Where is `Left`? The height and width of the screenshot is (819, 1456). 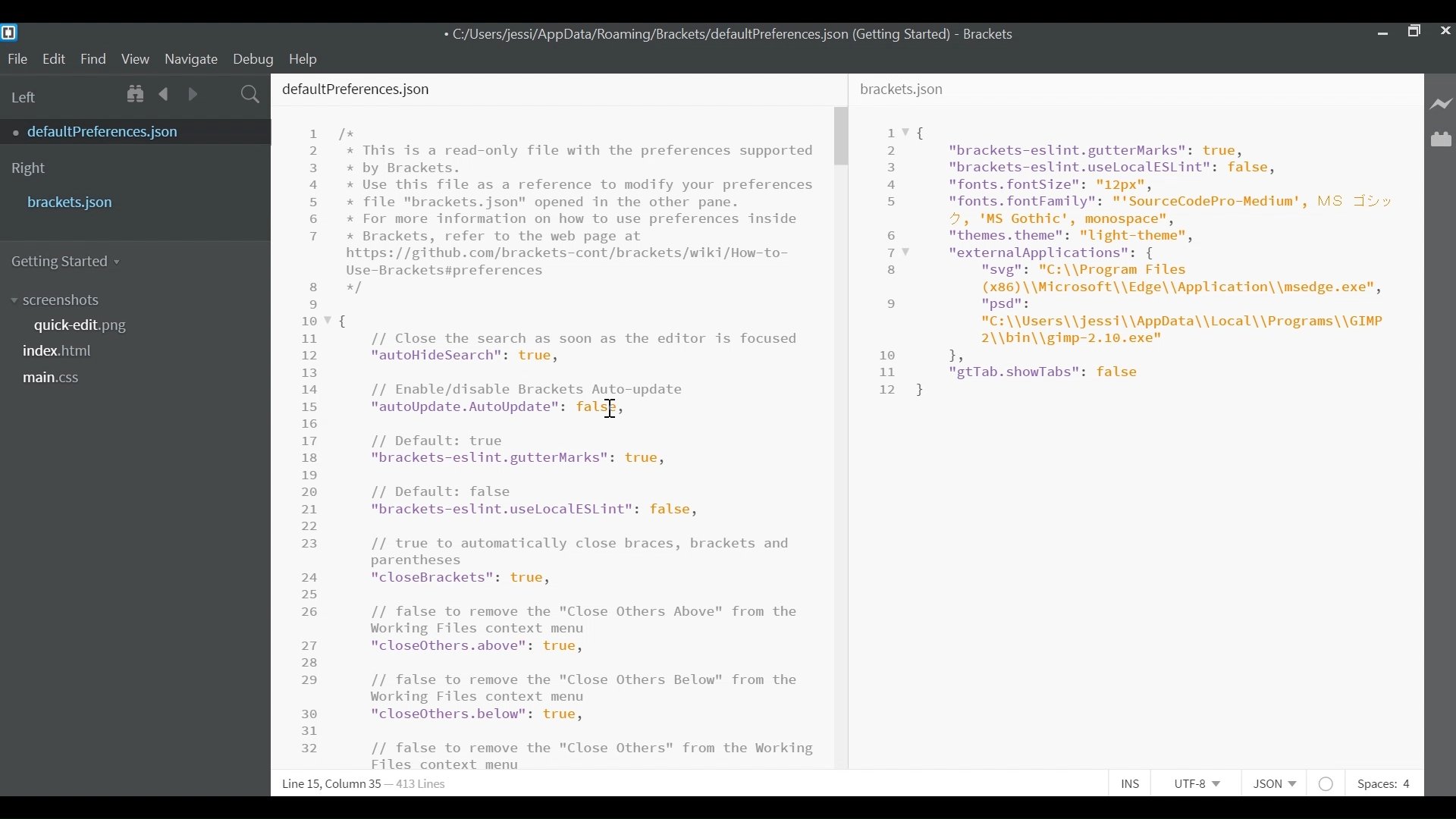
Left is located at coordinates (26, 97).